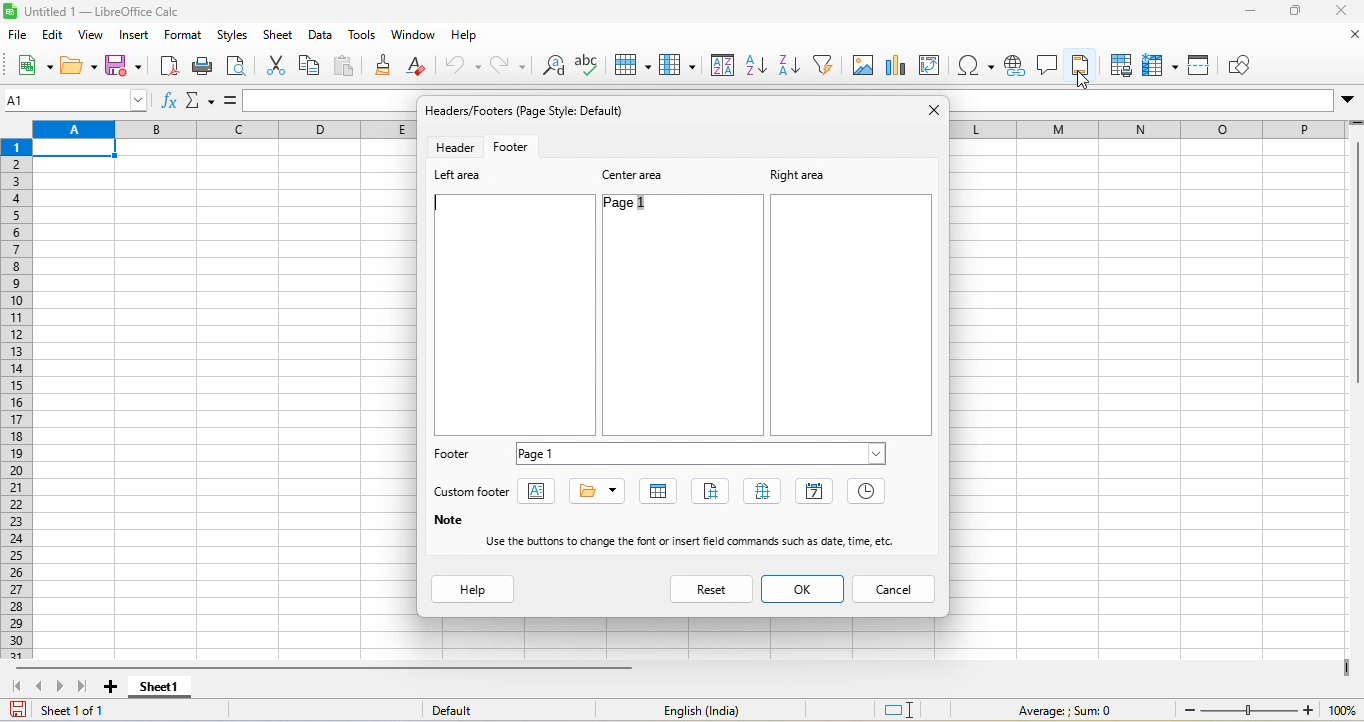  I want to click on sheet name, so click(660, 492).